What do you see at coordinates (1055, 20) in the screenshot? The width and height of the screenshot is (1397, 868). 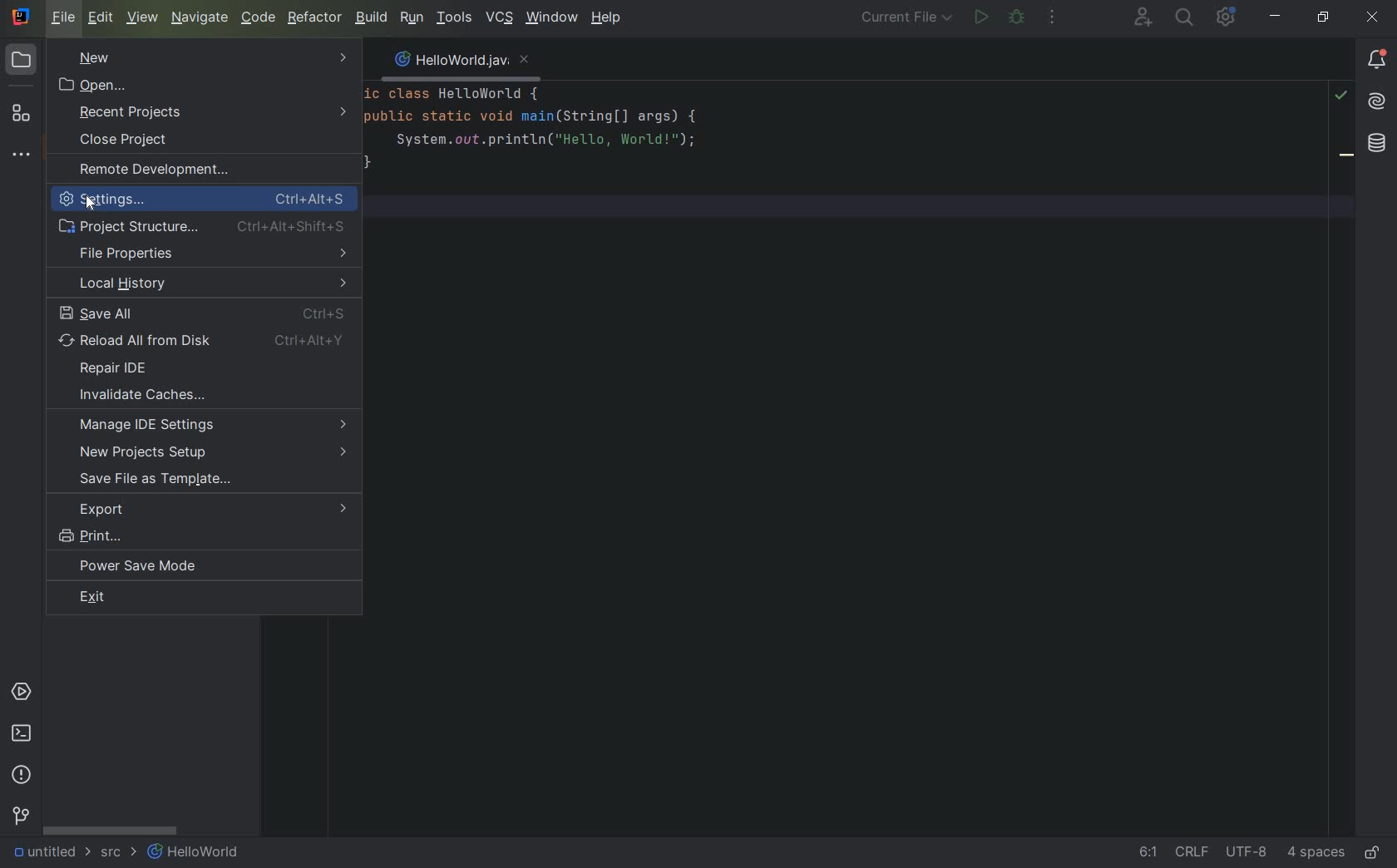 I see `more actions` at bounding box center [1055, 20].